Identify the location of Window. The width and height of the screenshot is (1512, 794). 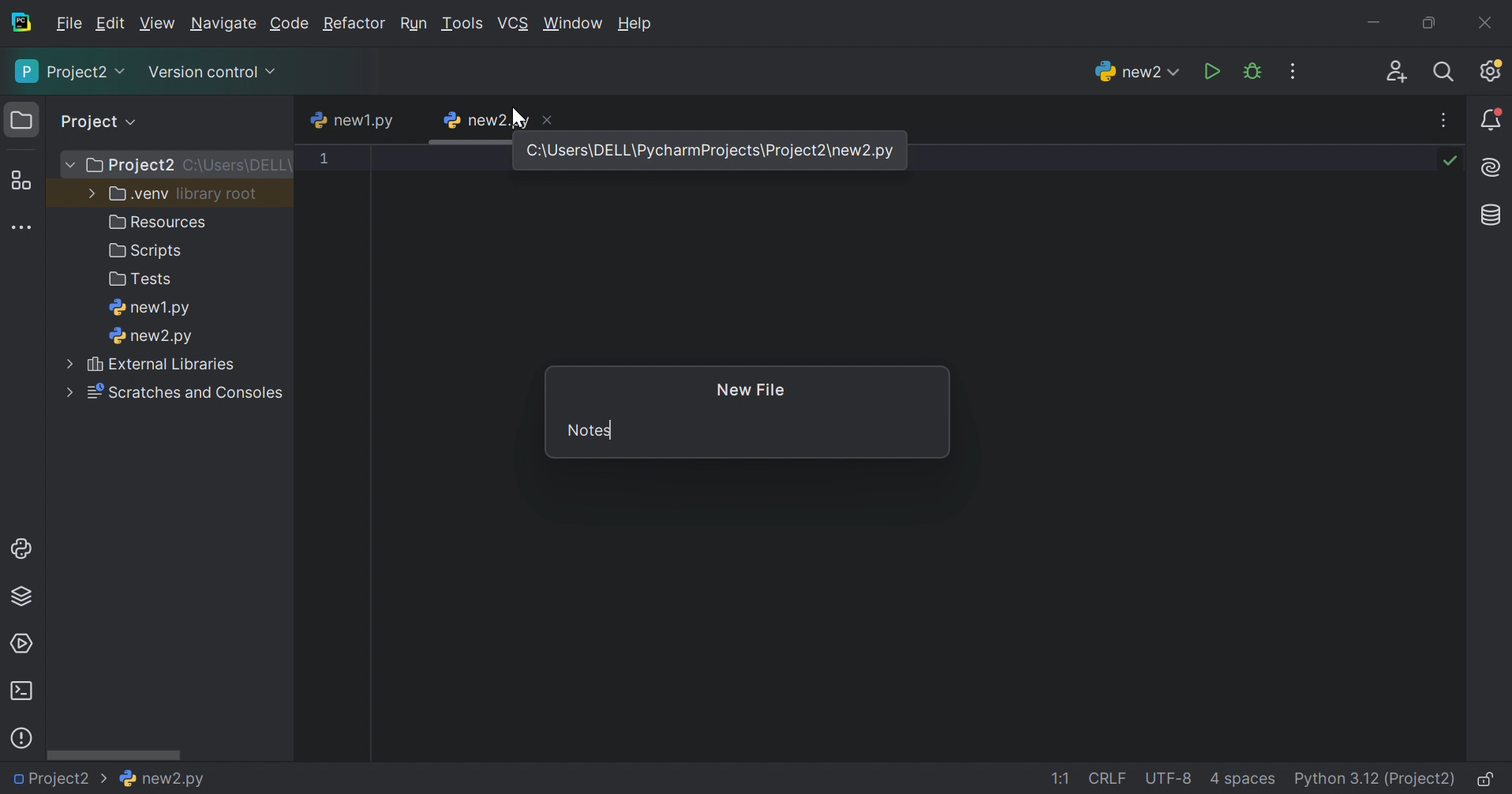
(572, 24).